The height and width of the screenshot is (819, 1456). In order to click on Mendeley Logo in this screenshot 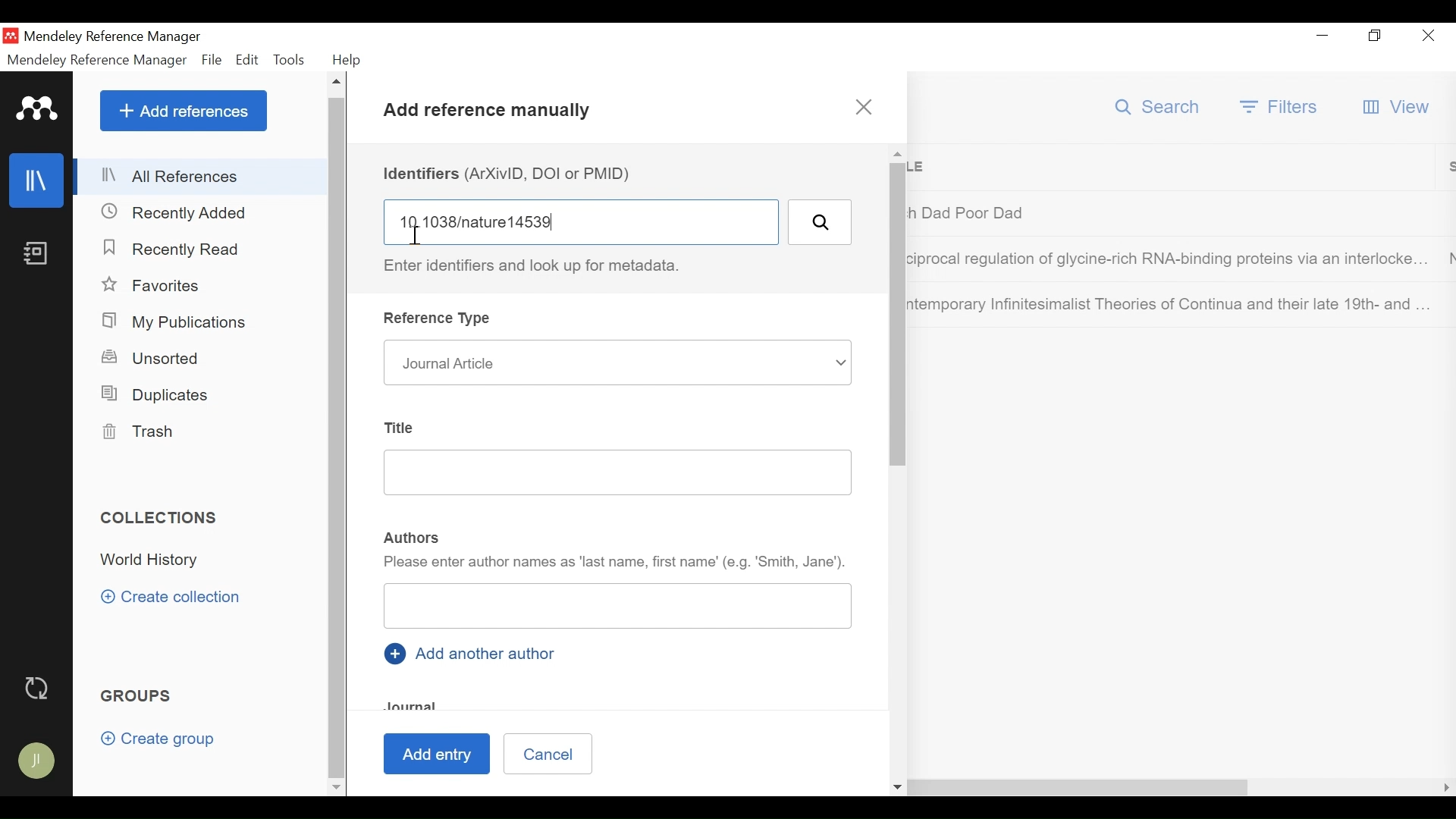, I will do `click(37, 108)`.